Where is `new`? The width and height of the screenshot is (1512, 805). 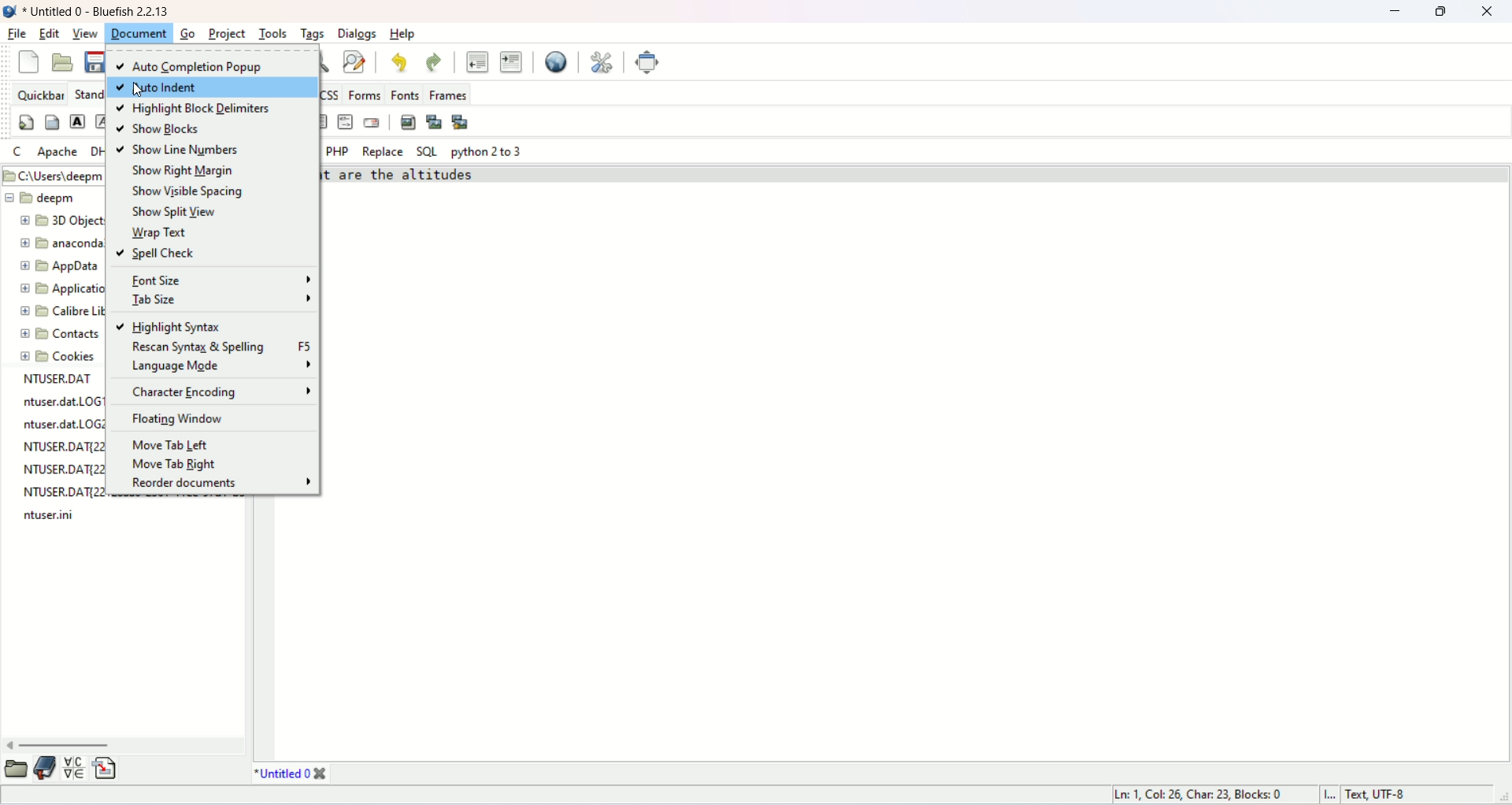 new is located at coordinates (25, 63).